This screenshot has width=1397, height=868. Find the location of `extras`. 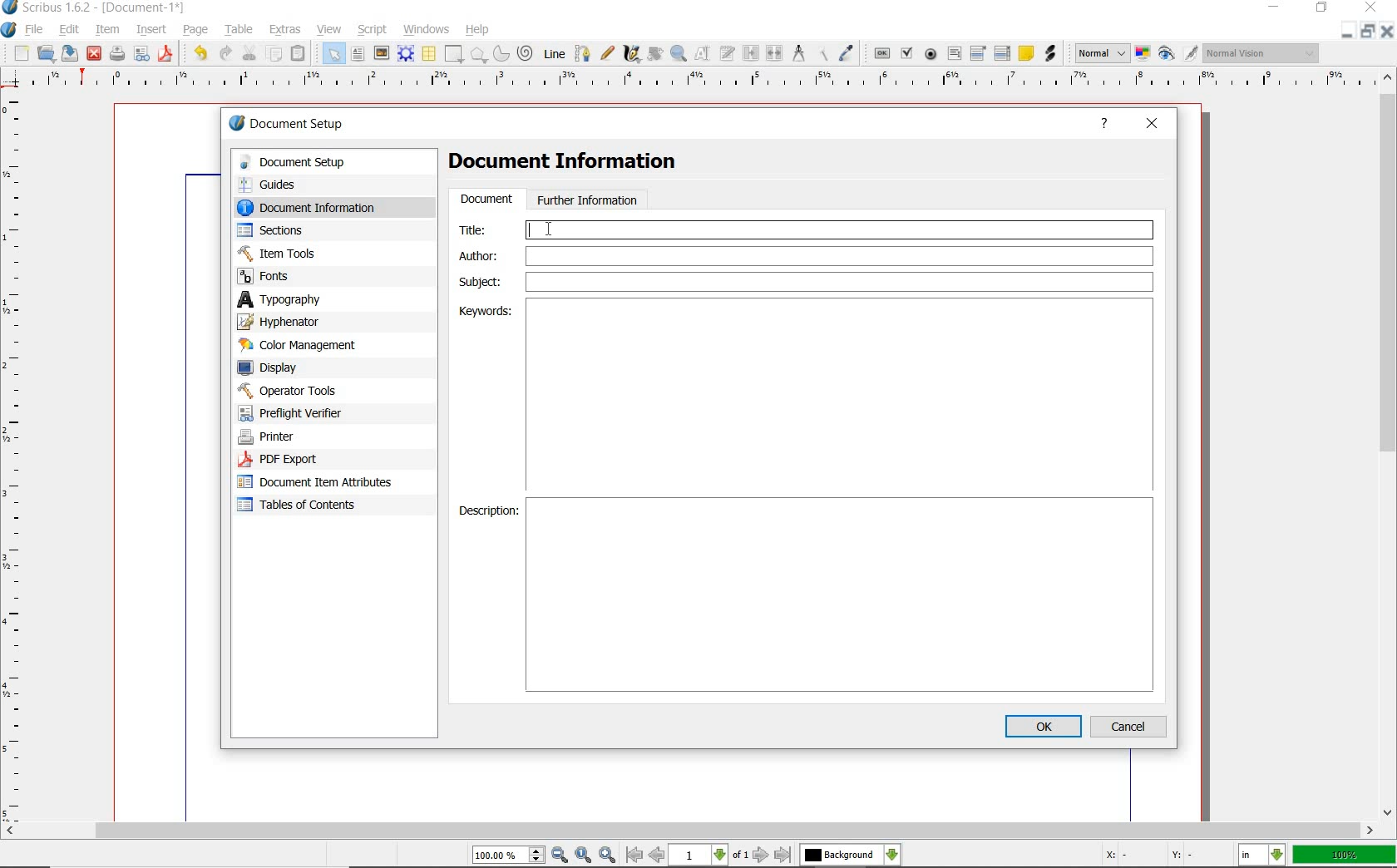

extras is located at coordinates (286, 30).